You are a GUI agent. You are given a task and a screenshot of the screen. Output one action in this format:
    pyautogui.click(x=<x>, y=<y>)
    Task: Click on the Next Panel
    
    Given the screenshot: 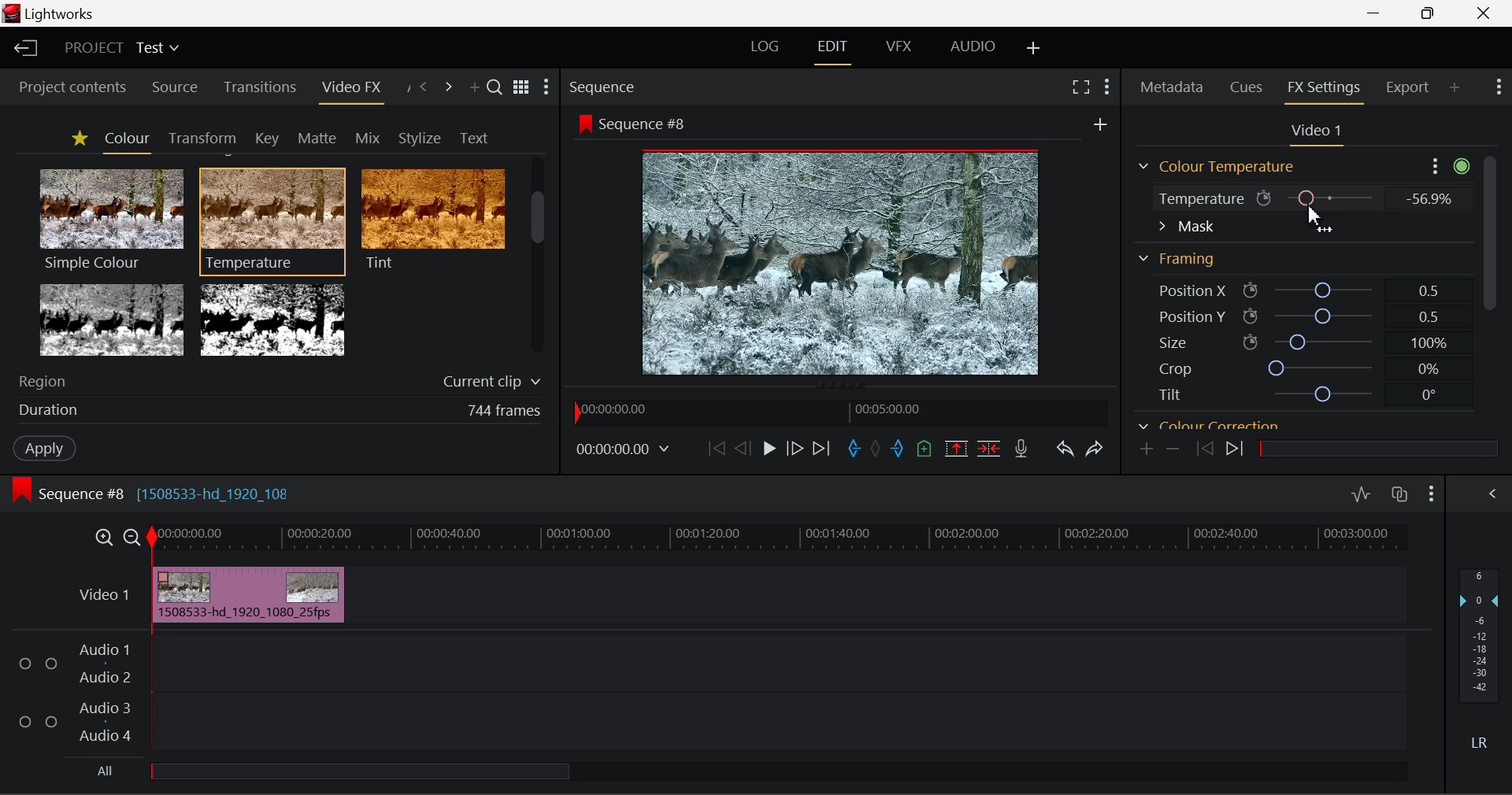 What is the action you would take?
    pyautogui.click(x=448, y=86)
    